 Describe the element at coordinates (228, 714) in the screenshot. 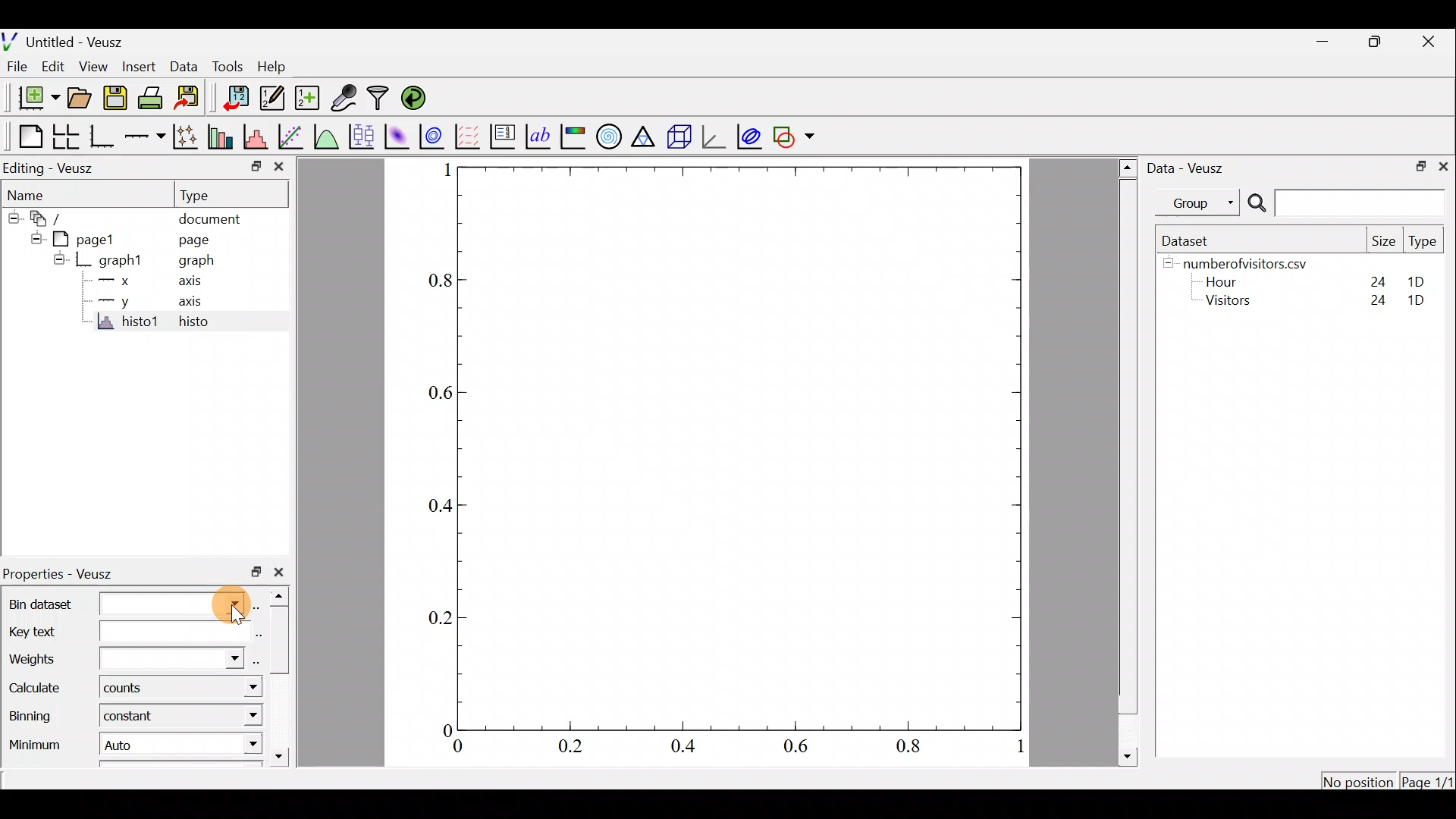

I see `Binning dropdown` at that location.